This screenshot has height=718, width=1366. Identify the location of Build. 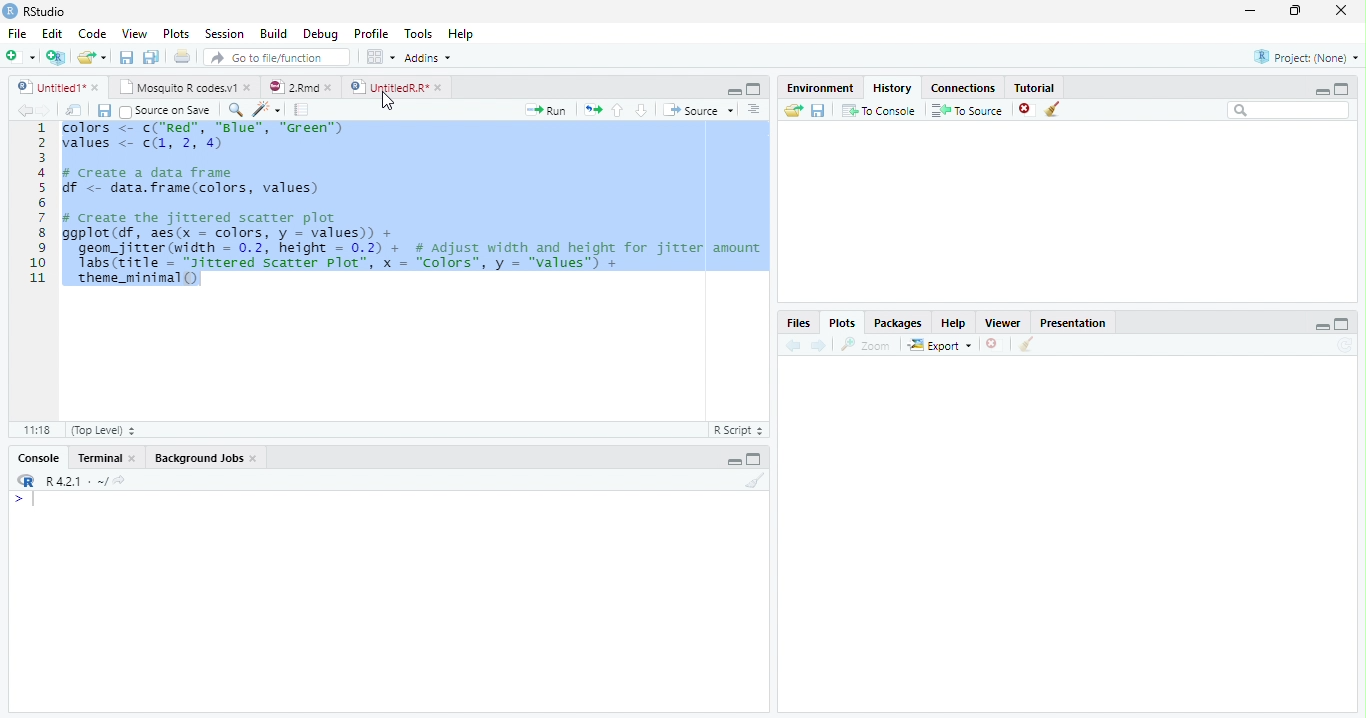
(272, 33).